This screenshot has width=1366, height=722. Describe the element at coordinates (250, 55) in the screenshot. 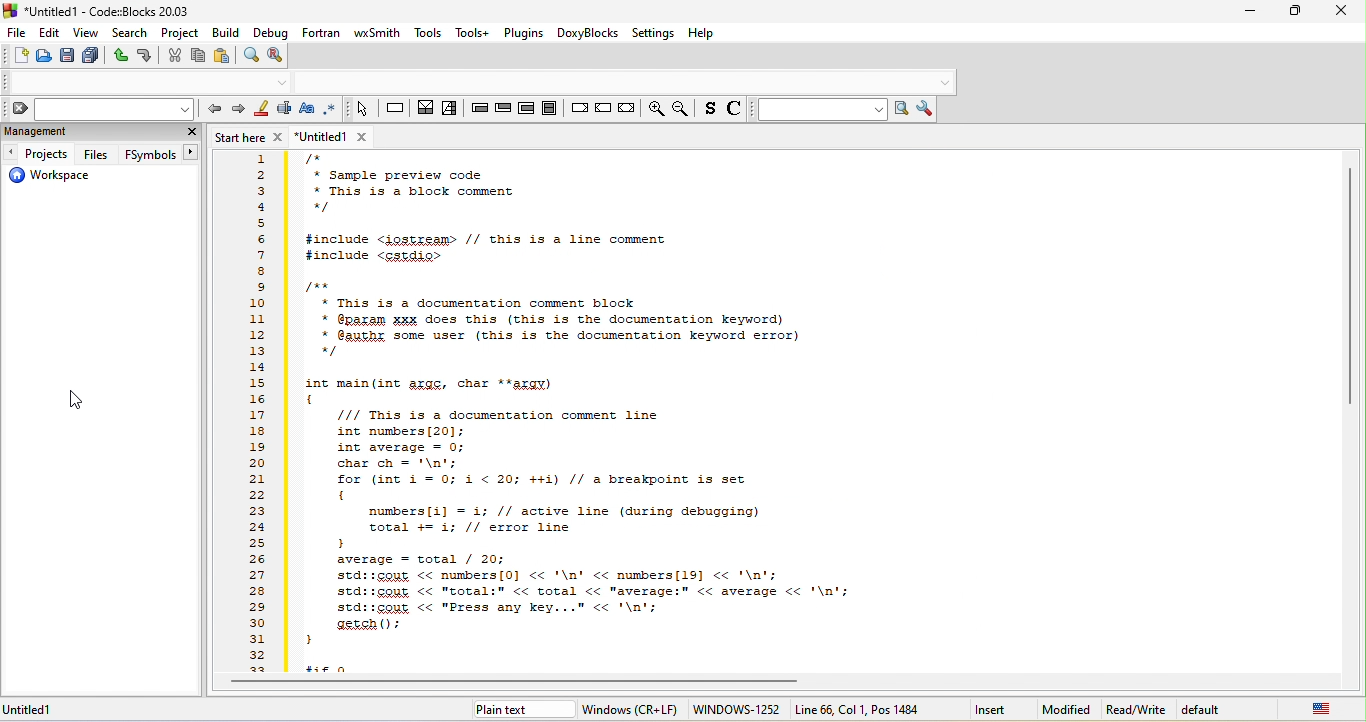

I see `find` at that location.